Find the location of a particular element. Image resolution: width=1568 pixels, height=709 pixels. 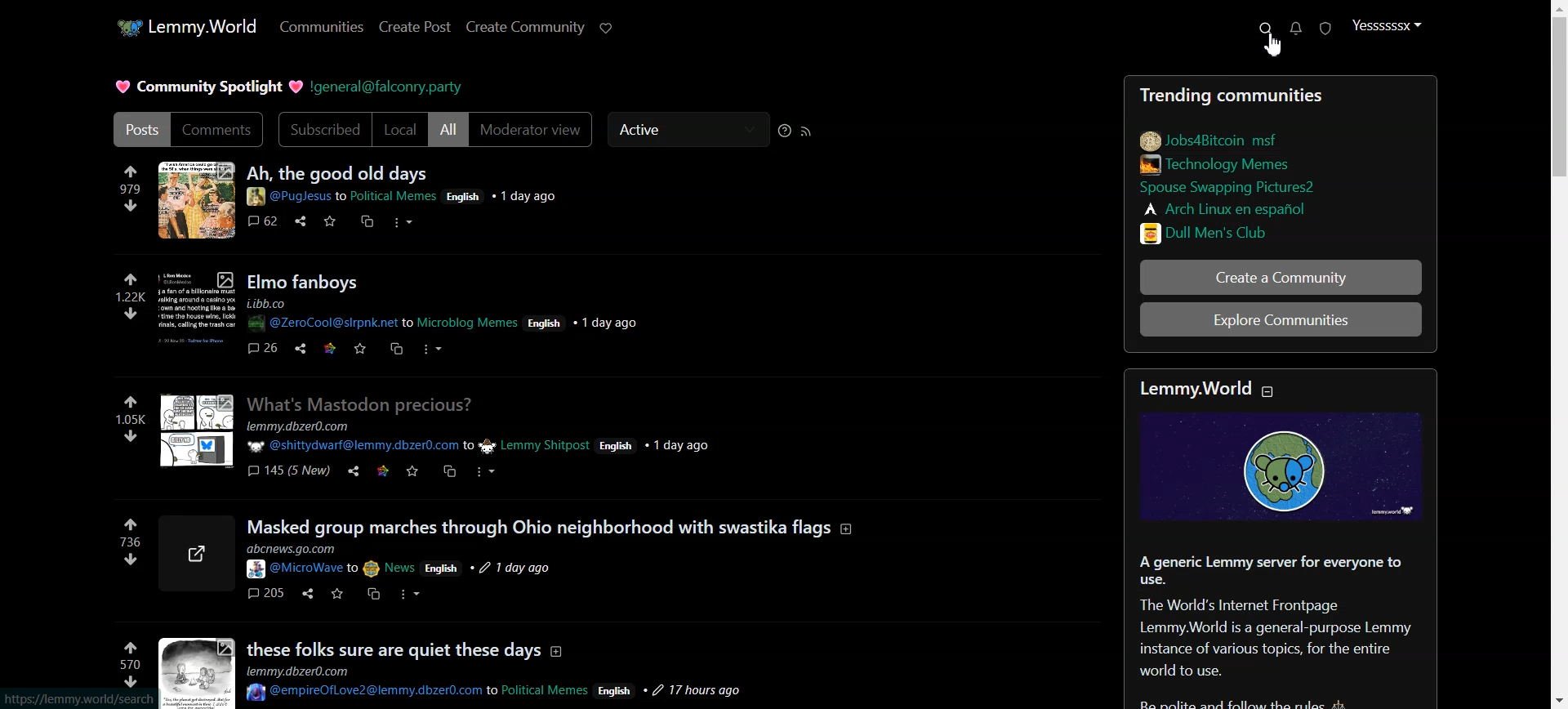

upvote is located at coordinates (127, 172).